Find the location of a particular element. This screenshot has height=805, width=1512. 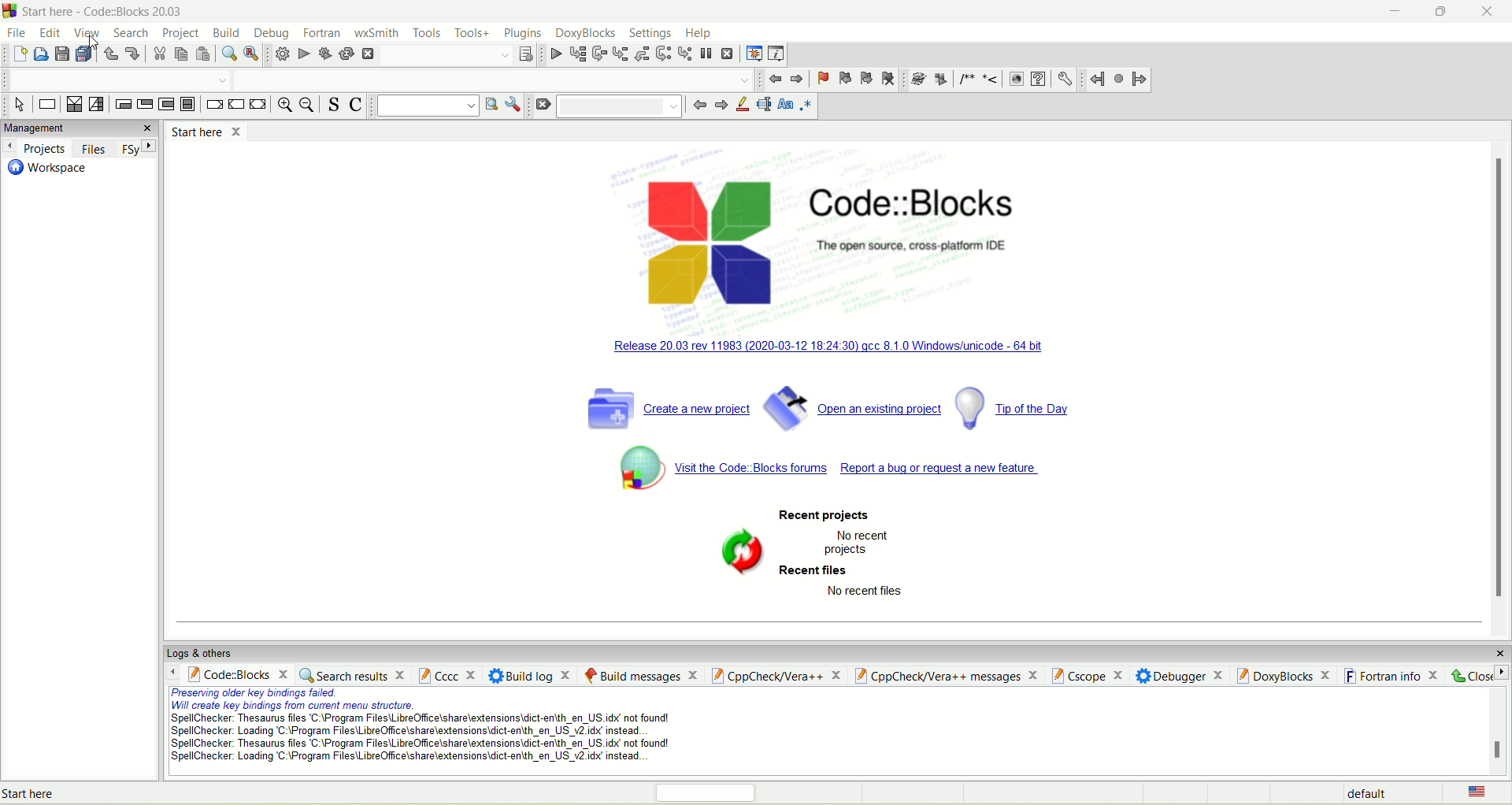

clear is located at coordinates (546, 109).